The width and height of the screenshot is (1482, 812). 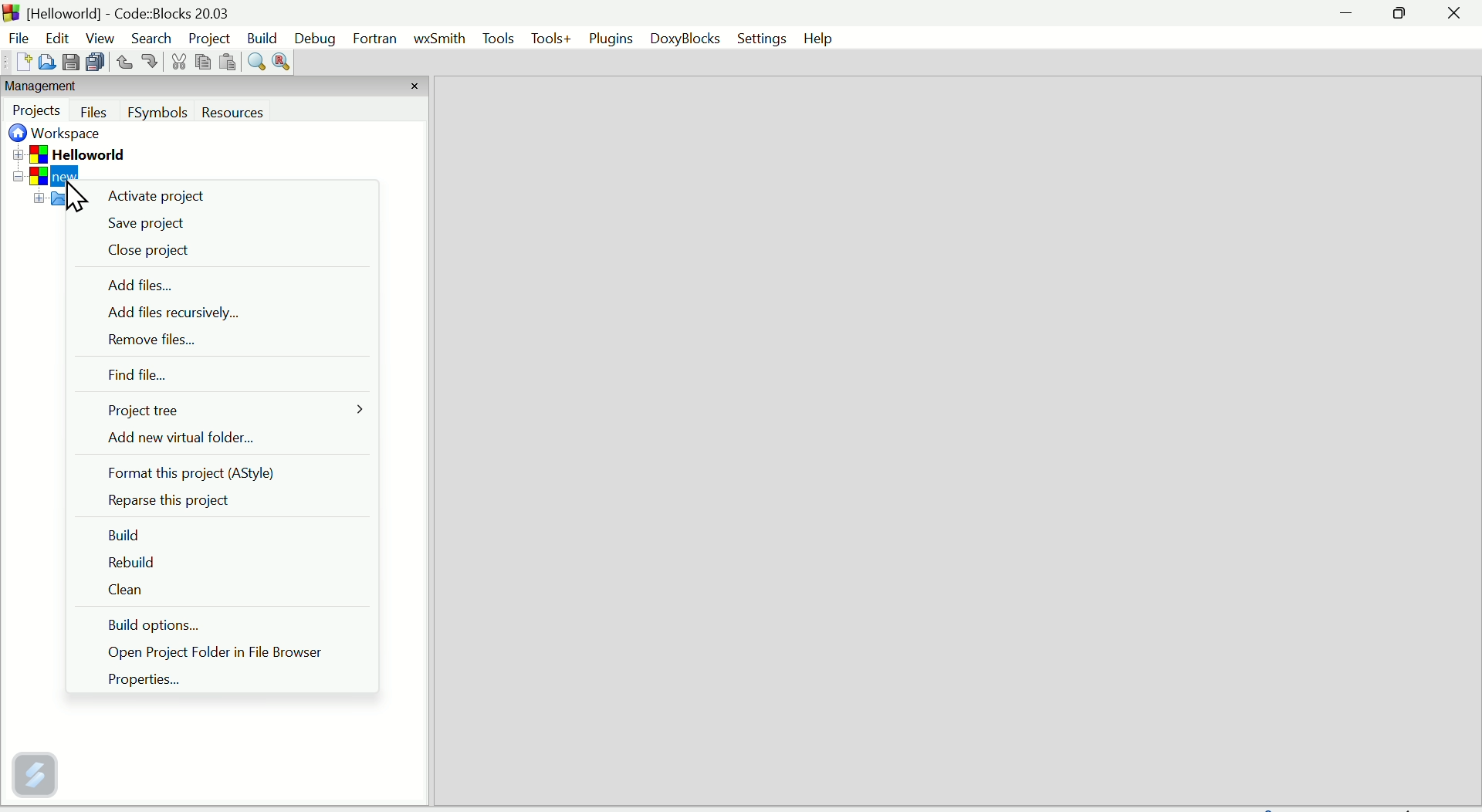 What do you see at coordinates (499, 41) in the screenshot?
I see `` at bounding box center [499, 41].